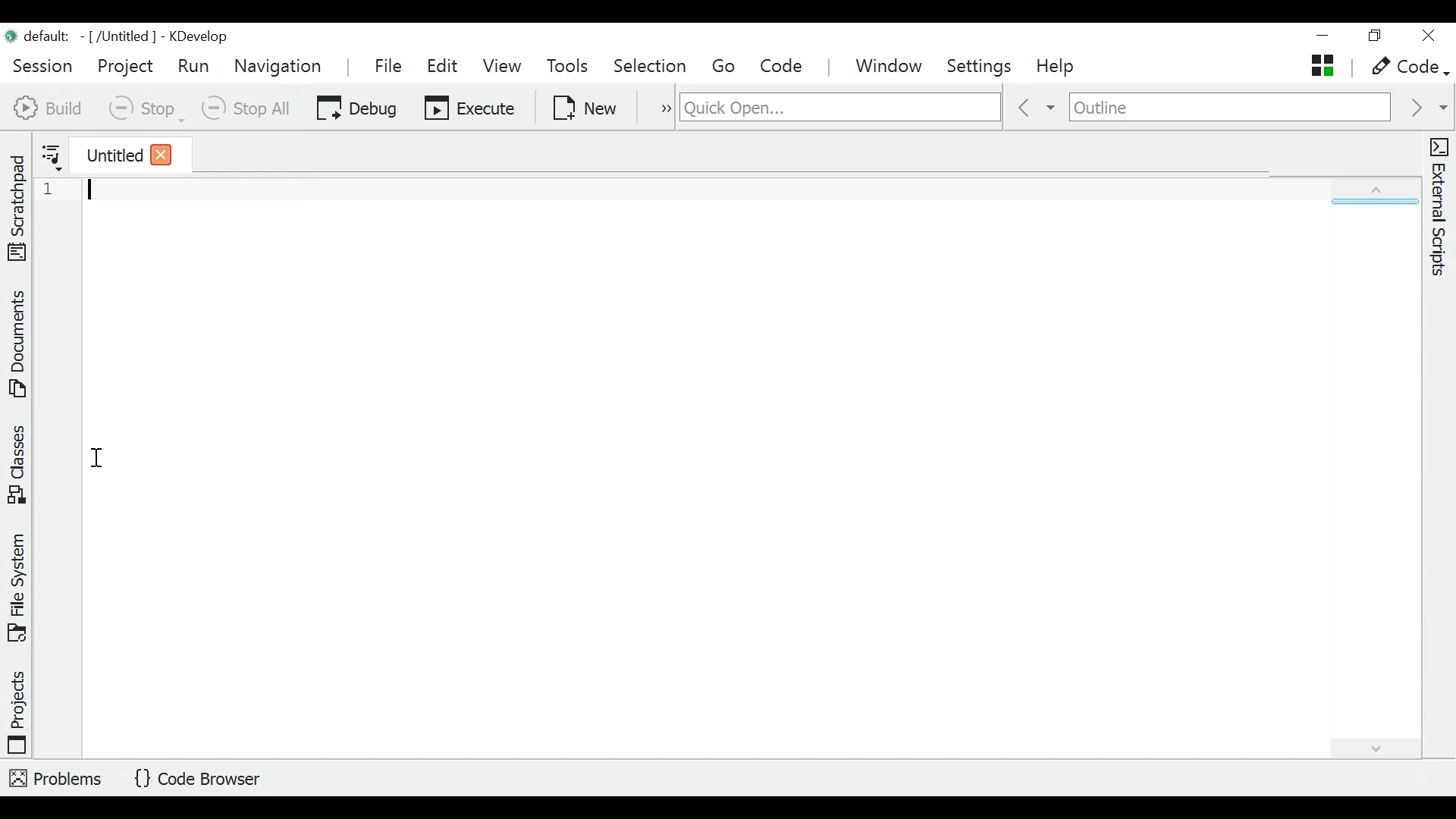 The width and height of the screenshot is (1456, 819). What do you see at coordinates (1368, 750) in the screenshot?
I see `expand` at bounding box center [1368, 750].